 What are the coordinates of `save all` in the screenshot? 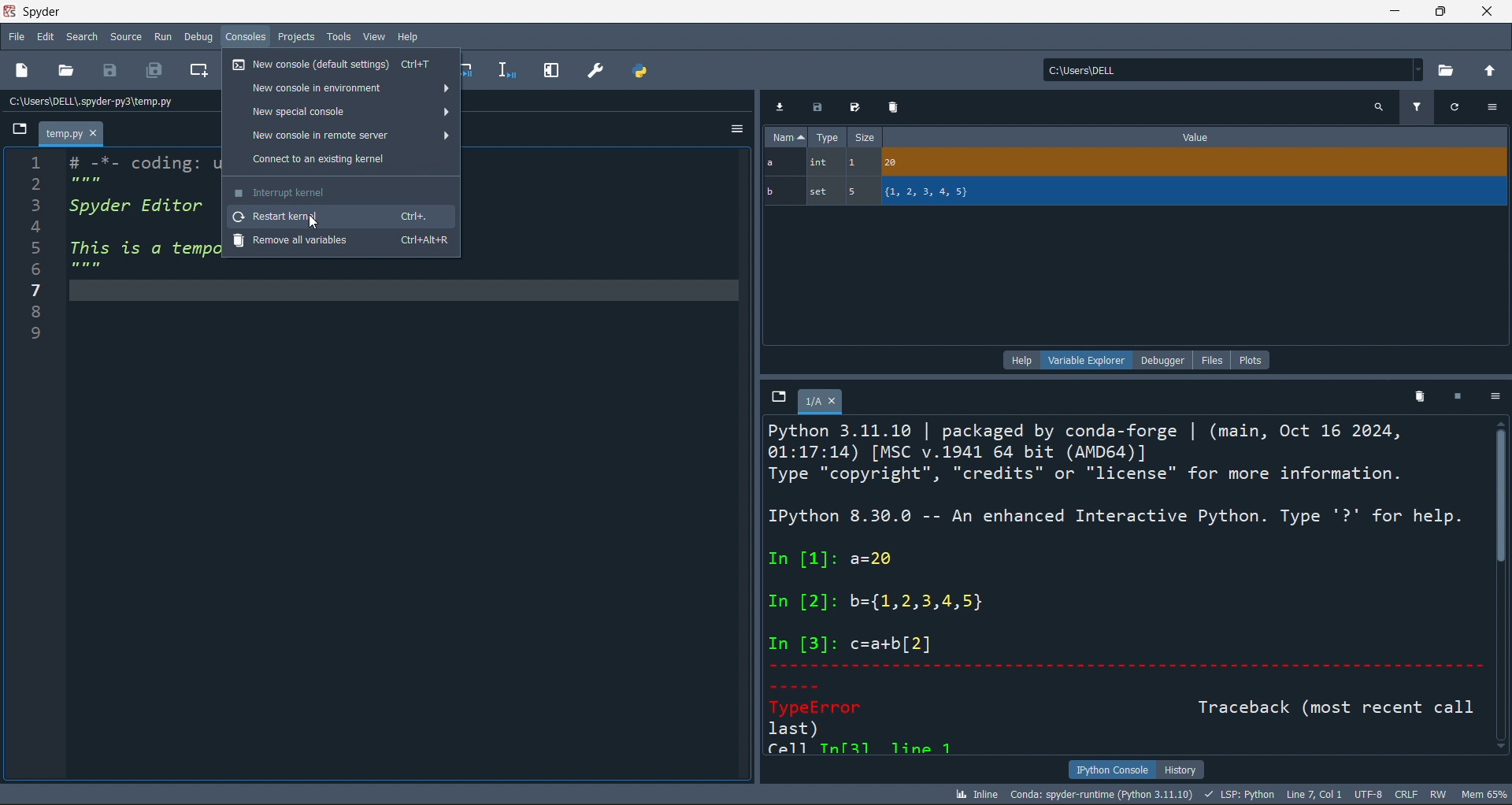 It's located at (156, 70).